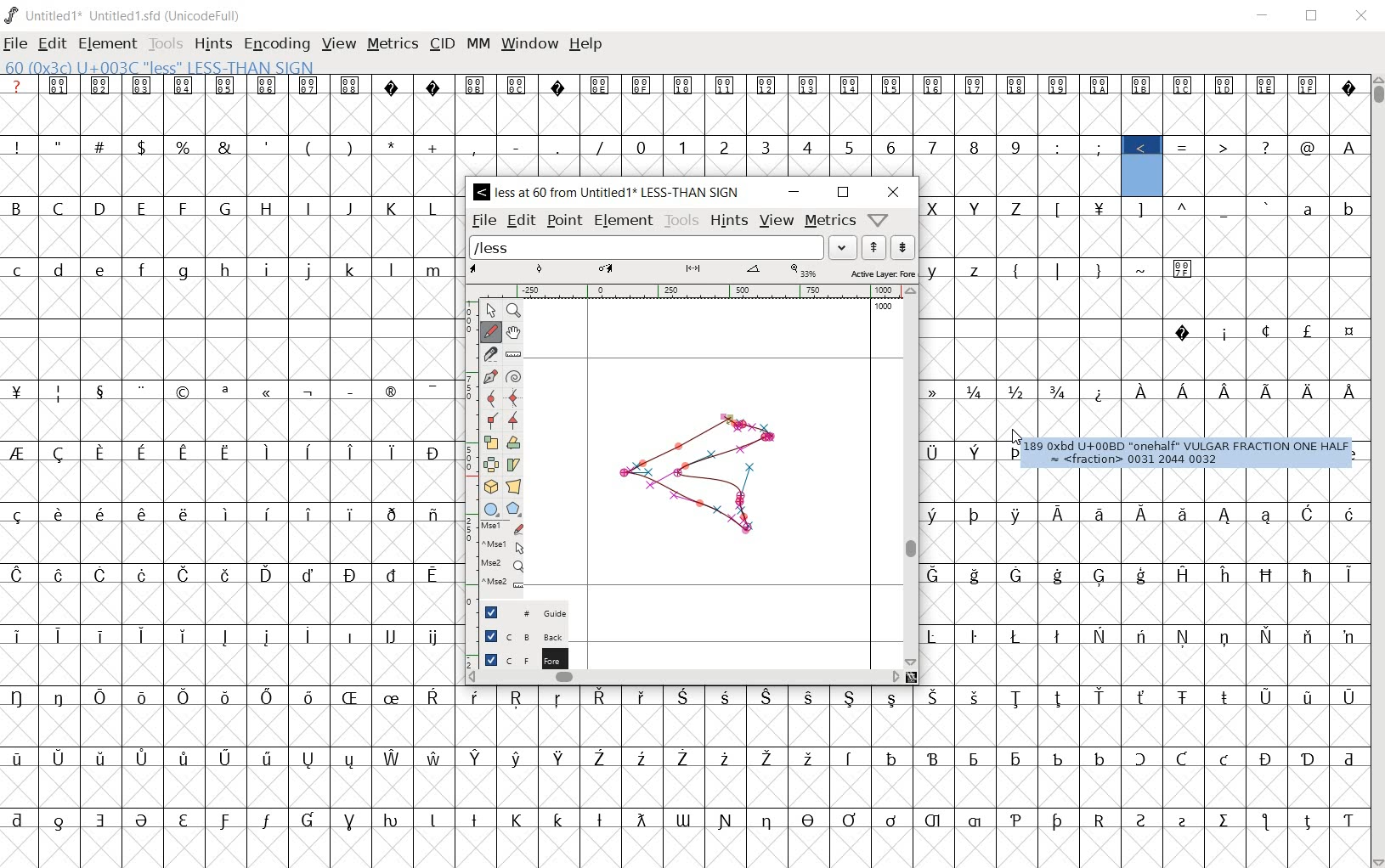  I want to click on help/window, so click(879, 218).